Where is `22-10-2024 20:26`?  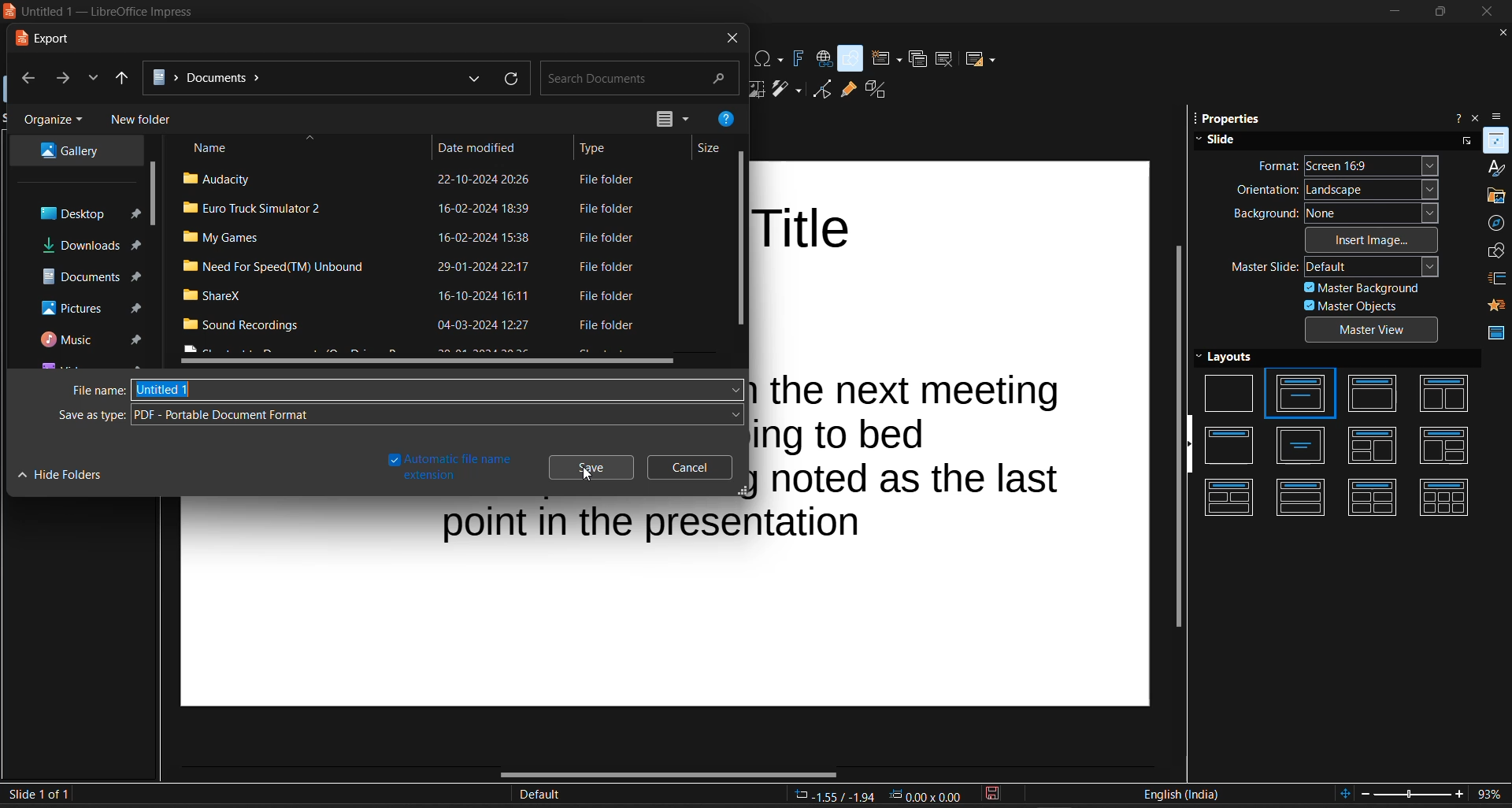
22-10-2024 20:26 is located at coordinates (481, 180).